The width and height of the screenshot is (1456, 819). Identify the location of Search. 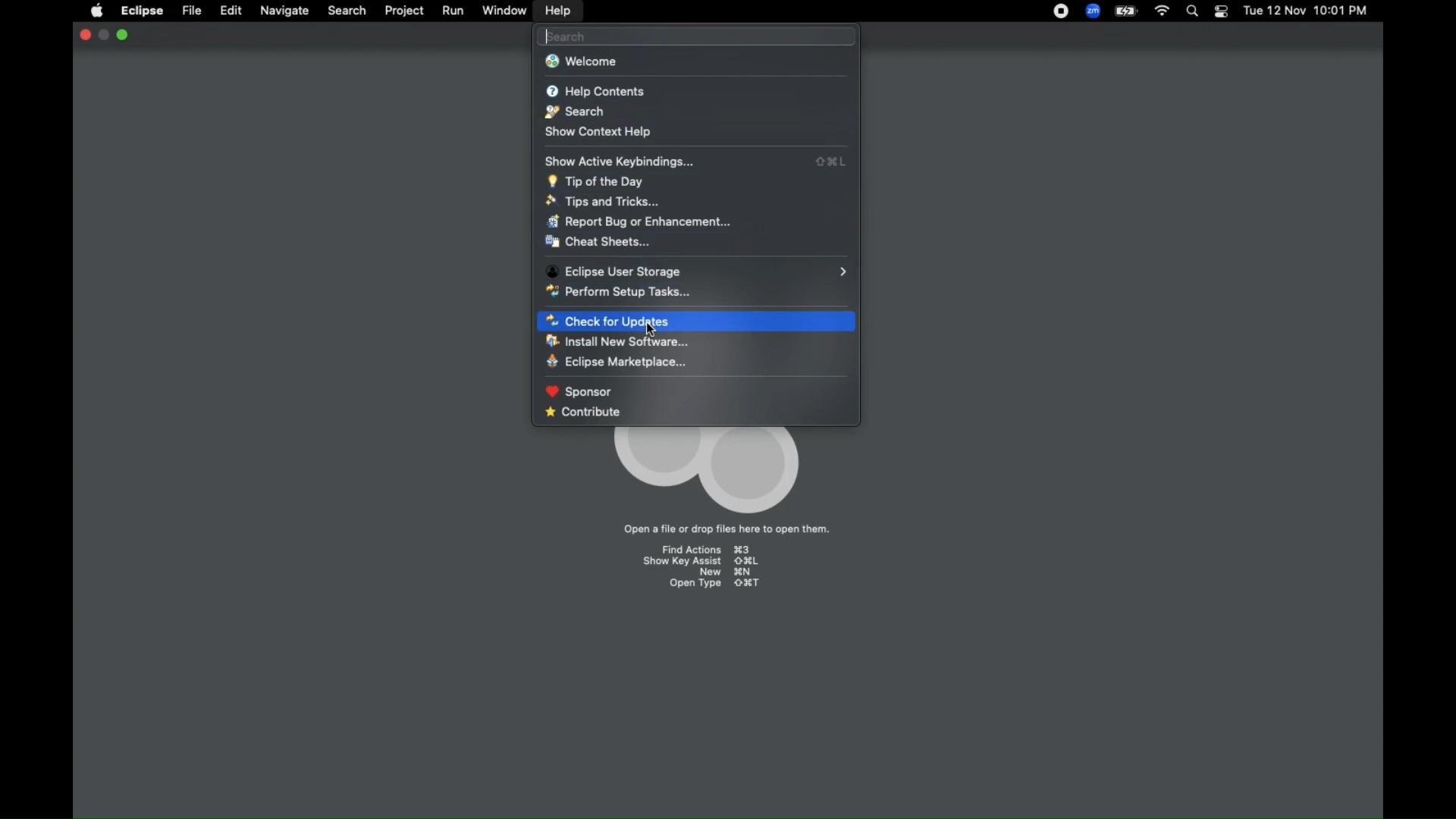
(698, 36).